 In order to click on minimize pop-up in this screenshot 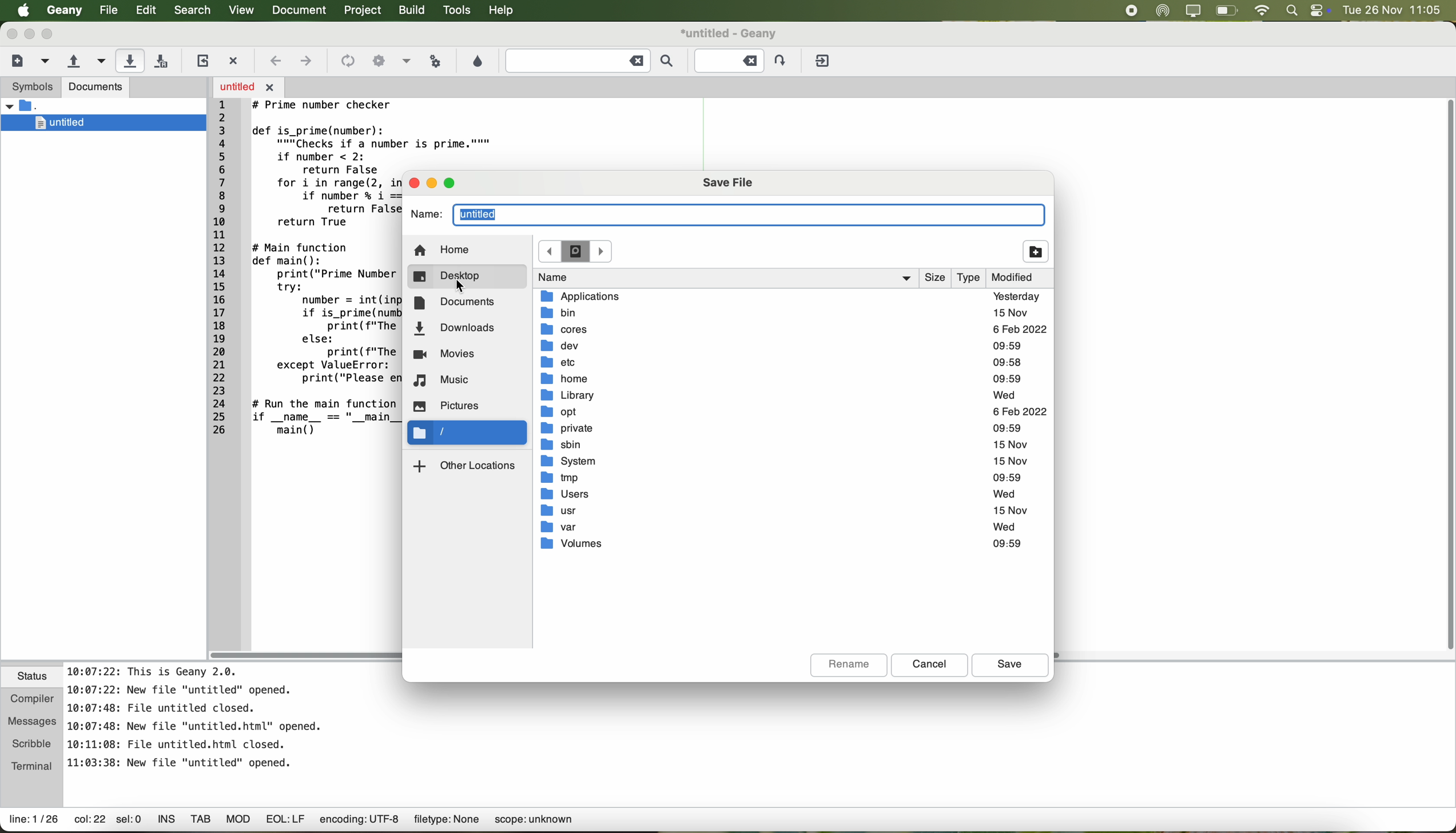, I will do `click(433, 183)`.